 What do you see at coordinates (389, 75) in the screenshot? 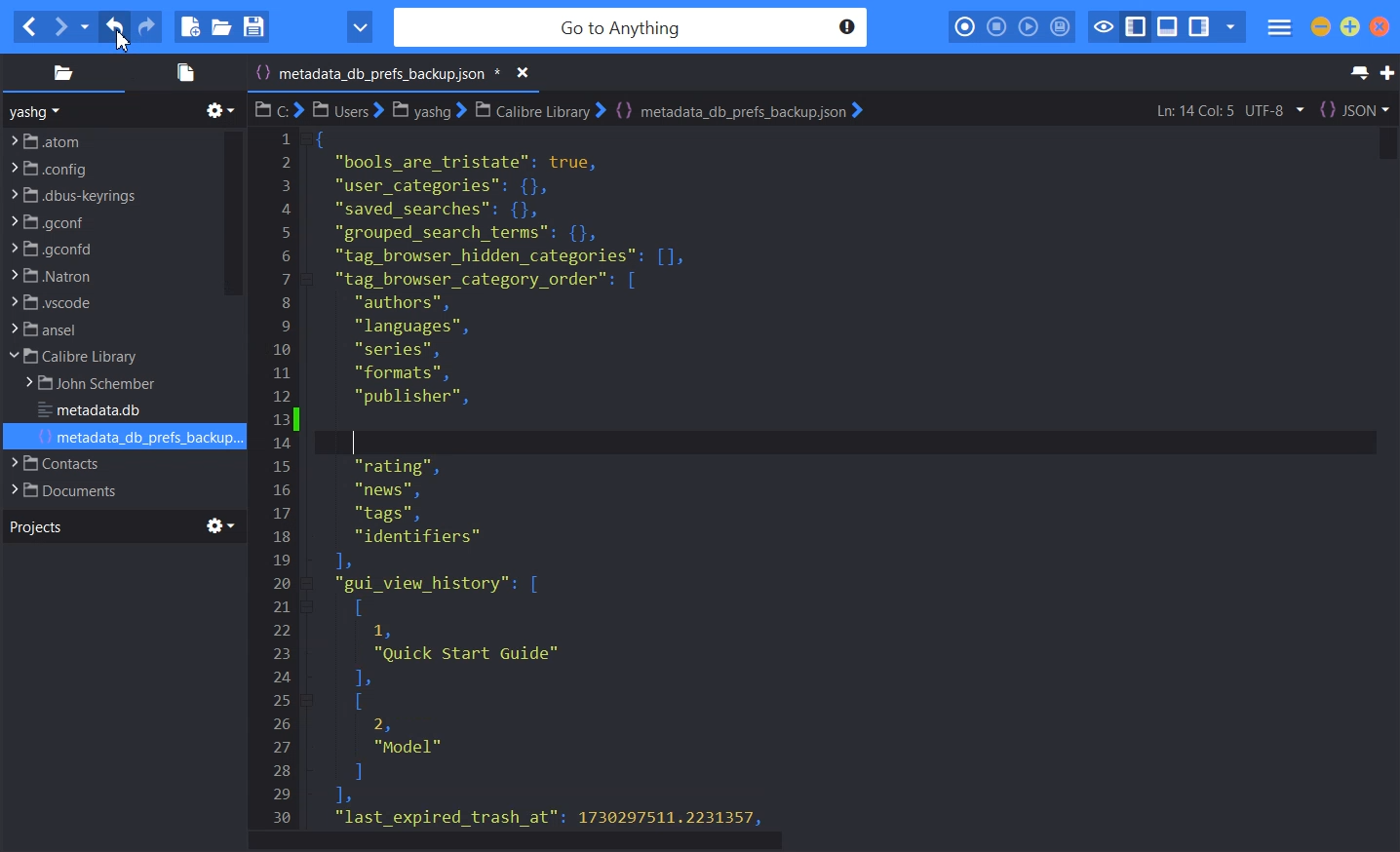
I see `metadata_db_pref_bakup .json` at bounding box center [389, 75].